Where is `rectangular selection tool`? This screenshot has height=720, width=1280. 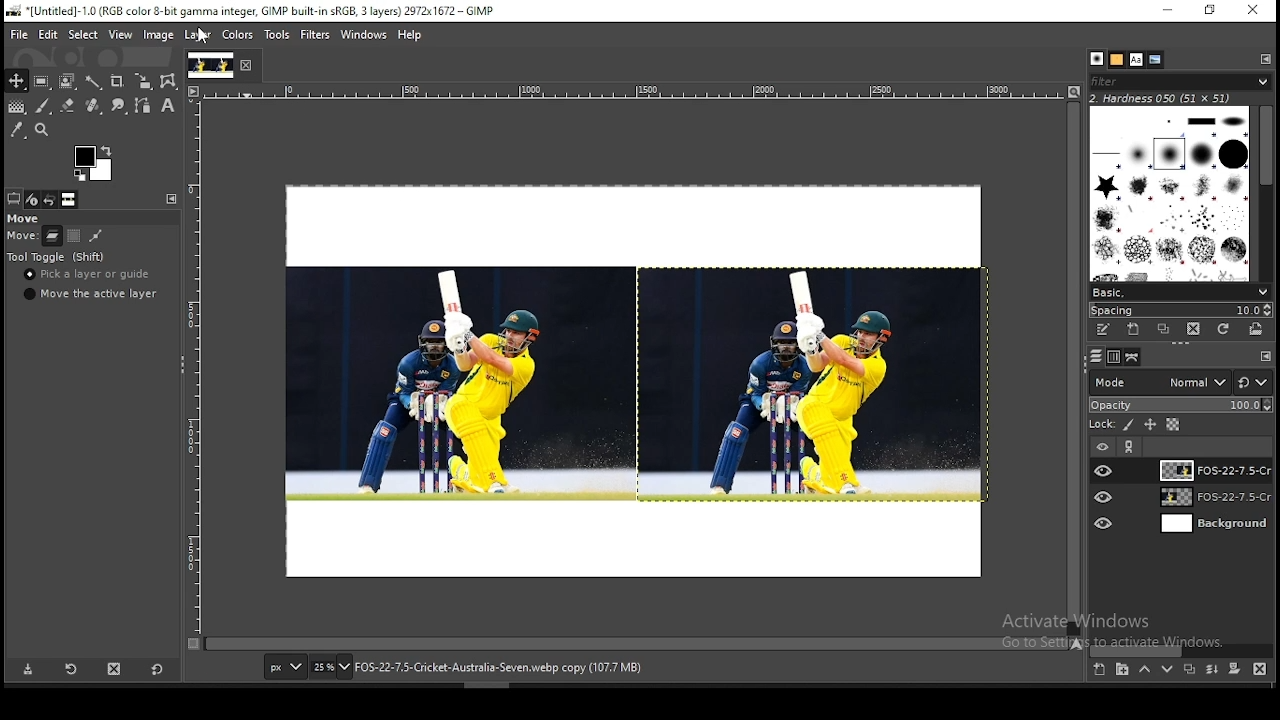 rectangular selection tool is located at coordinates (40, 81).